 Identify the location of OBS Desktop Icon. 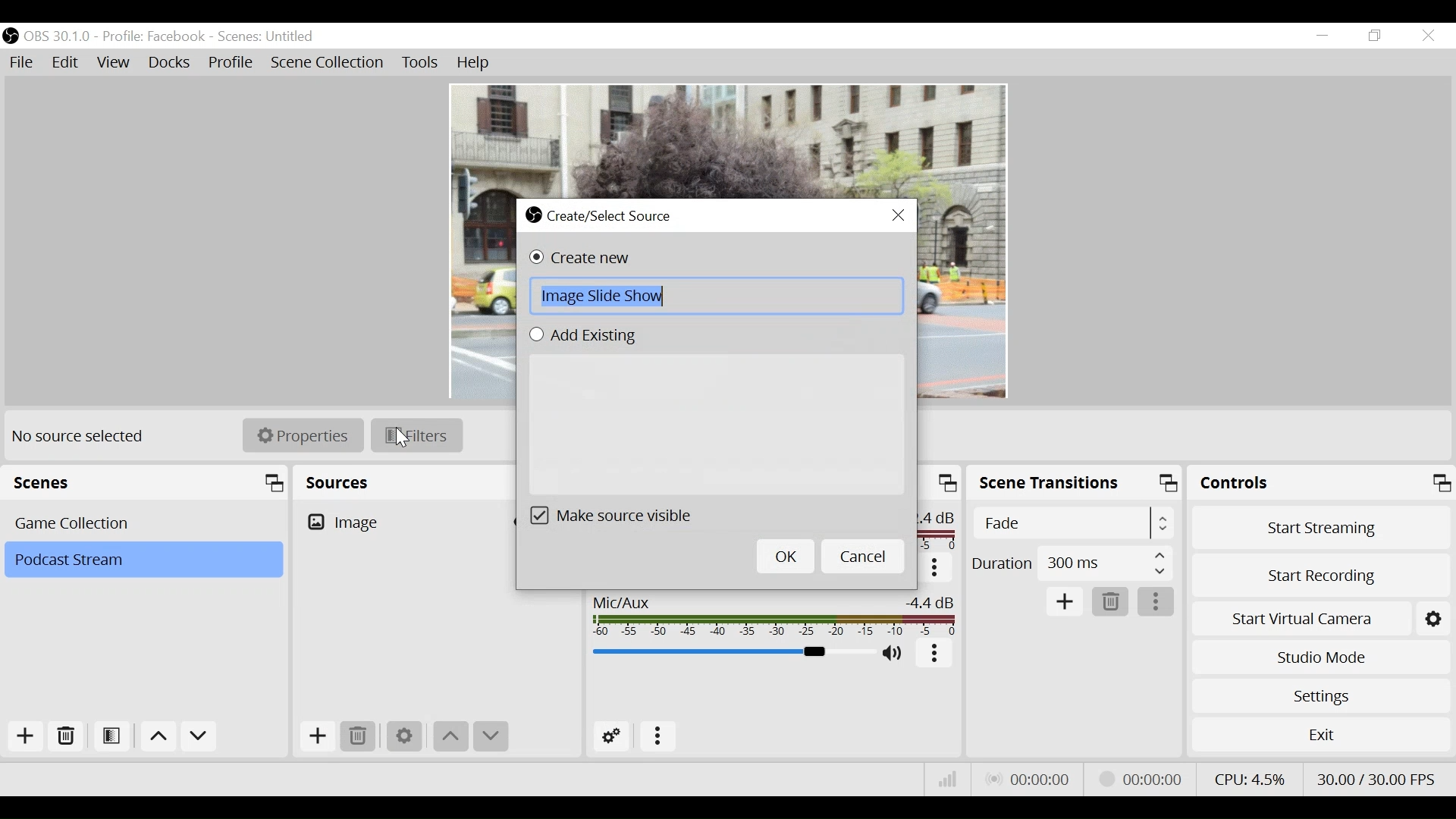
(11, 36).